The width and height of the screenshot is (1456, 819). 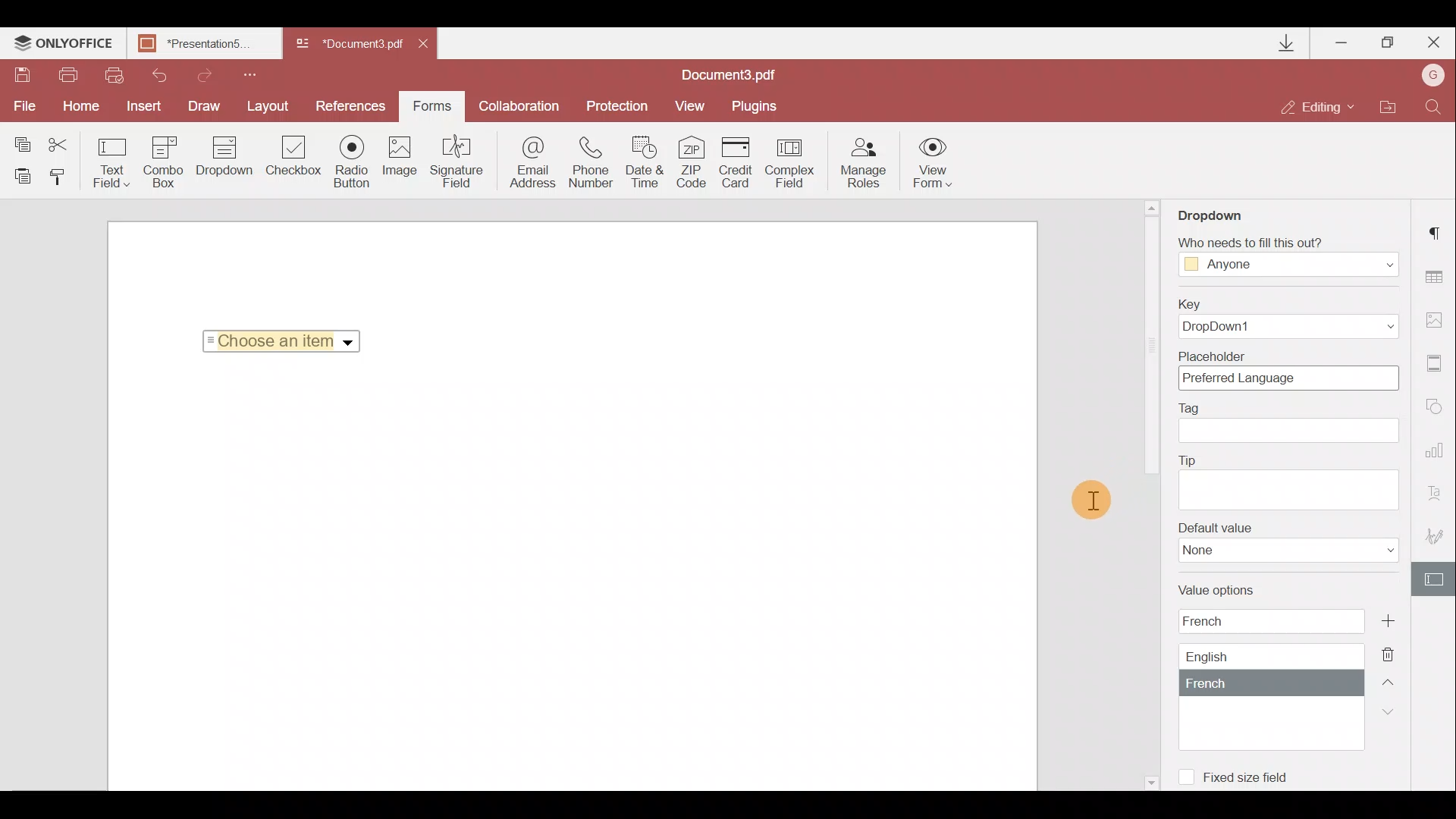 What do you see at coordinates (1288, 43) in the screenshot?
I see `Downloads` at bounding box center [1288, 43].